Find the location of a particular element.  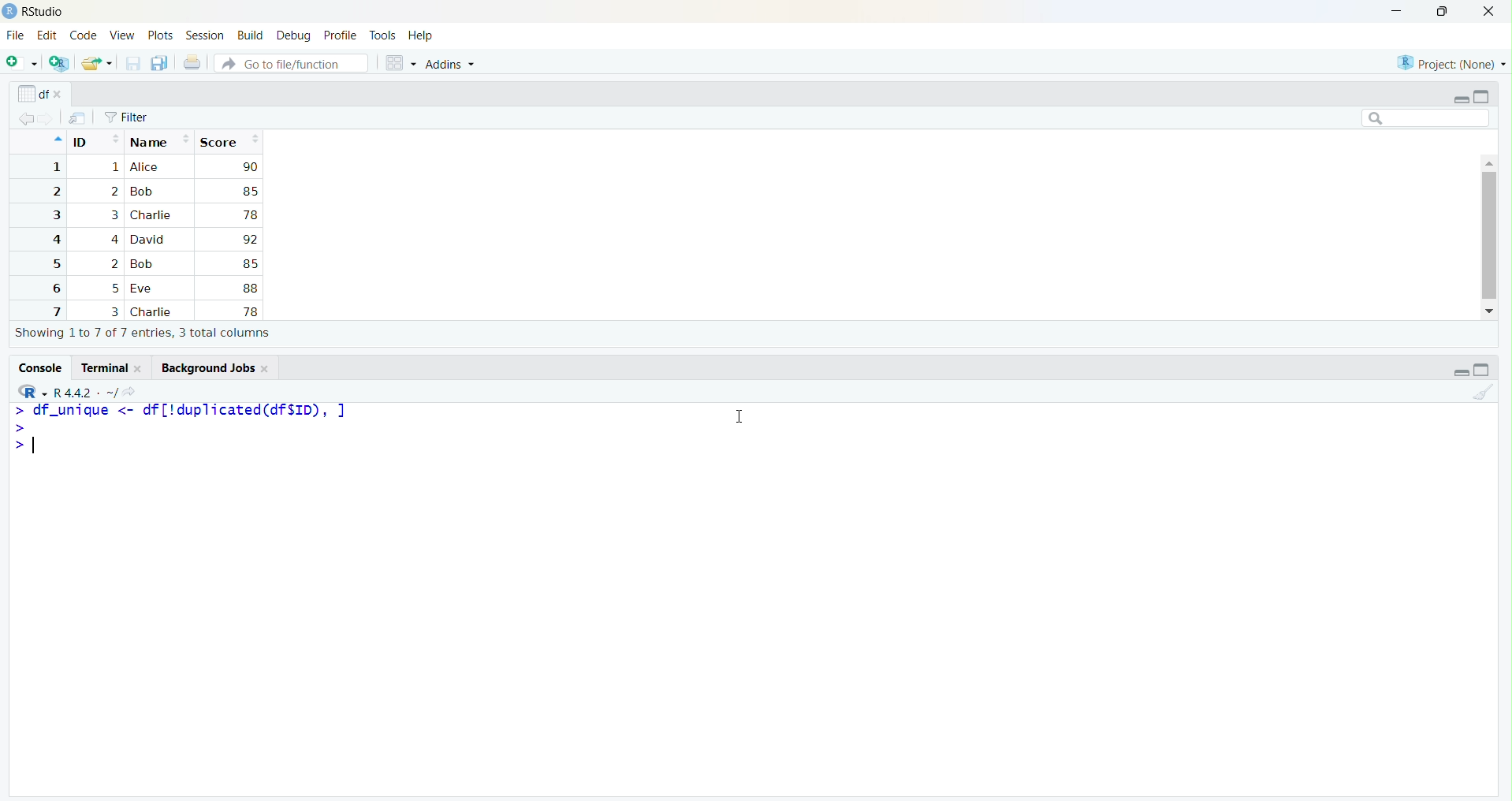

Help is located at coordinates (421, 37).